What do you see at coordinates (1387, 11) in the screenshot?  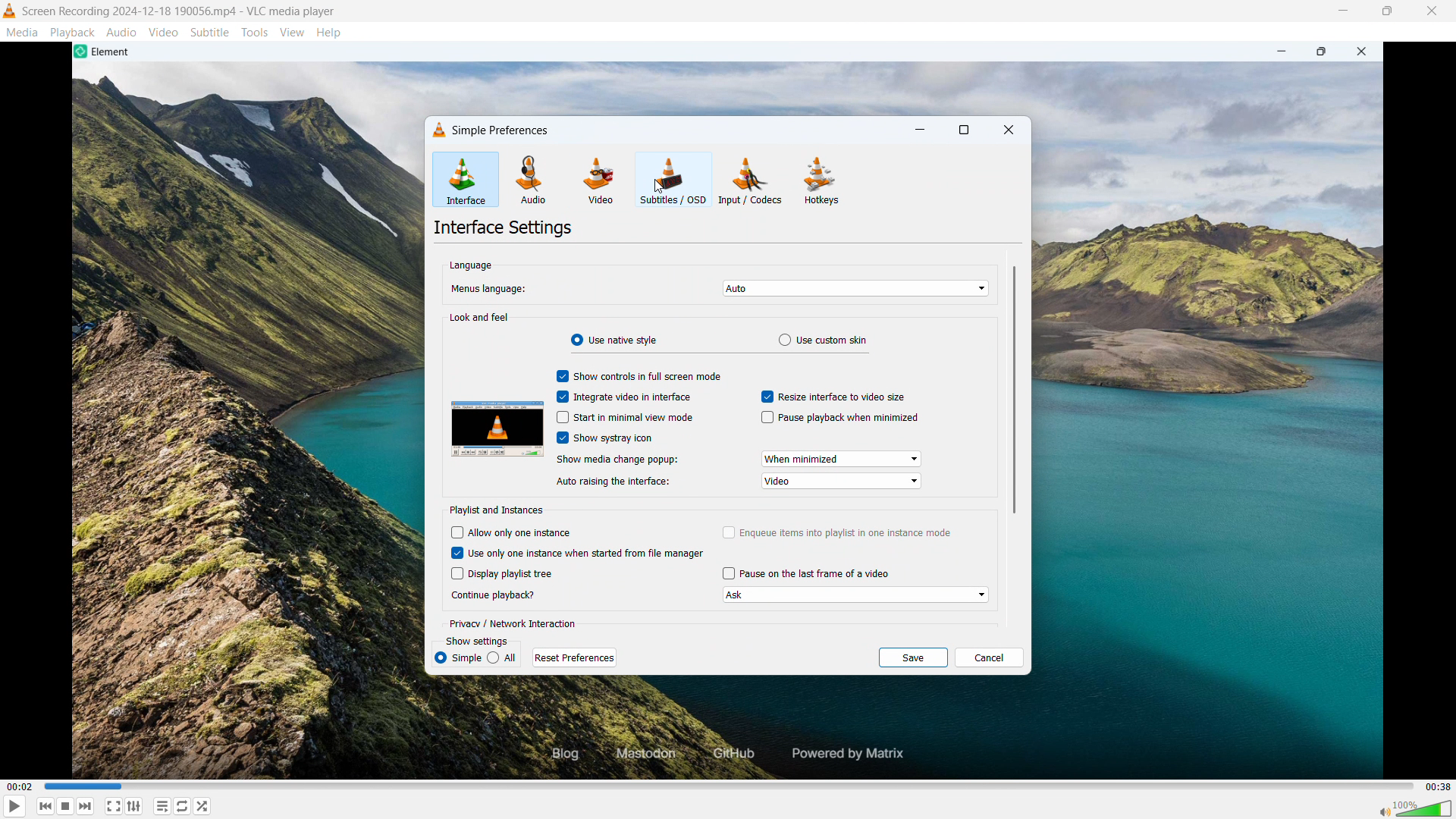 I see `Maximise ` at bounding box center [1387, 11].